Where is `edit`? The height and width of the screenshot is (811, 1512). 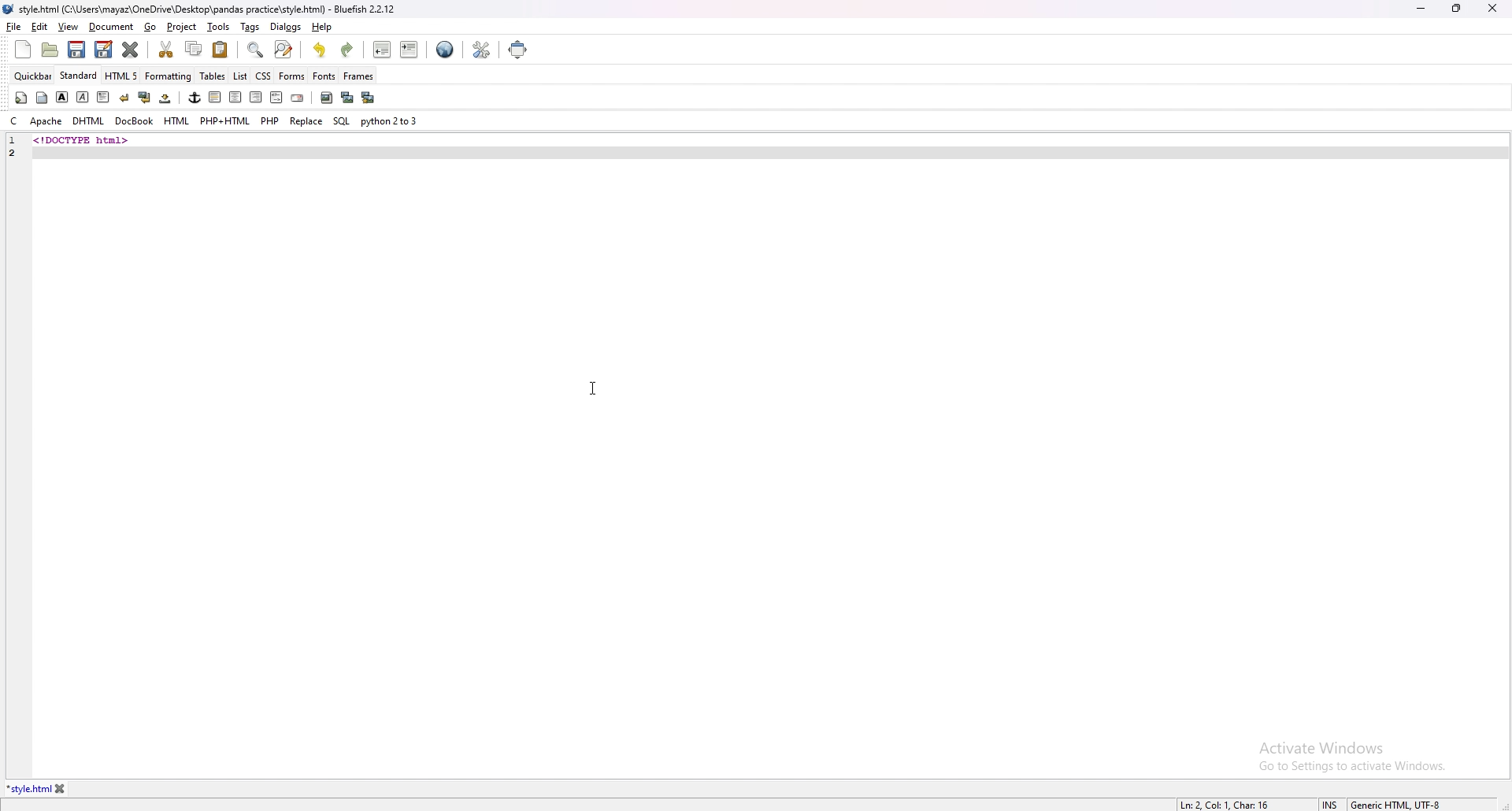 edit is located at coordinates (40, 27).